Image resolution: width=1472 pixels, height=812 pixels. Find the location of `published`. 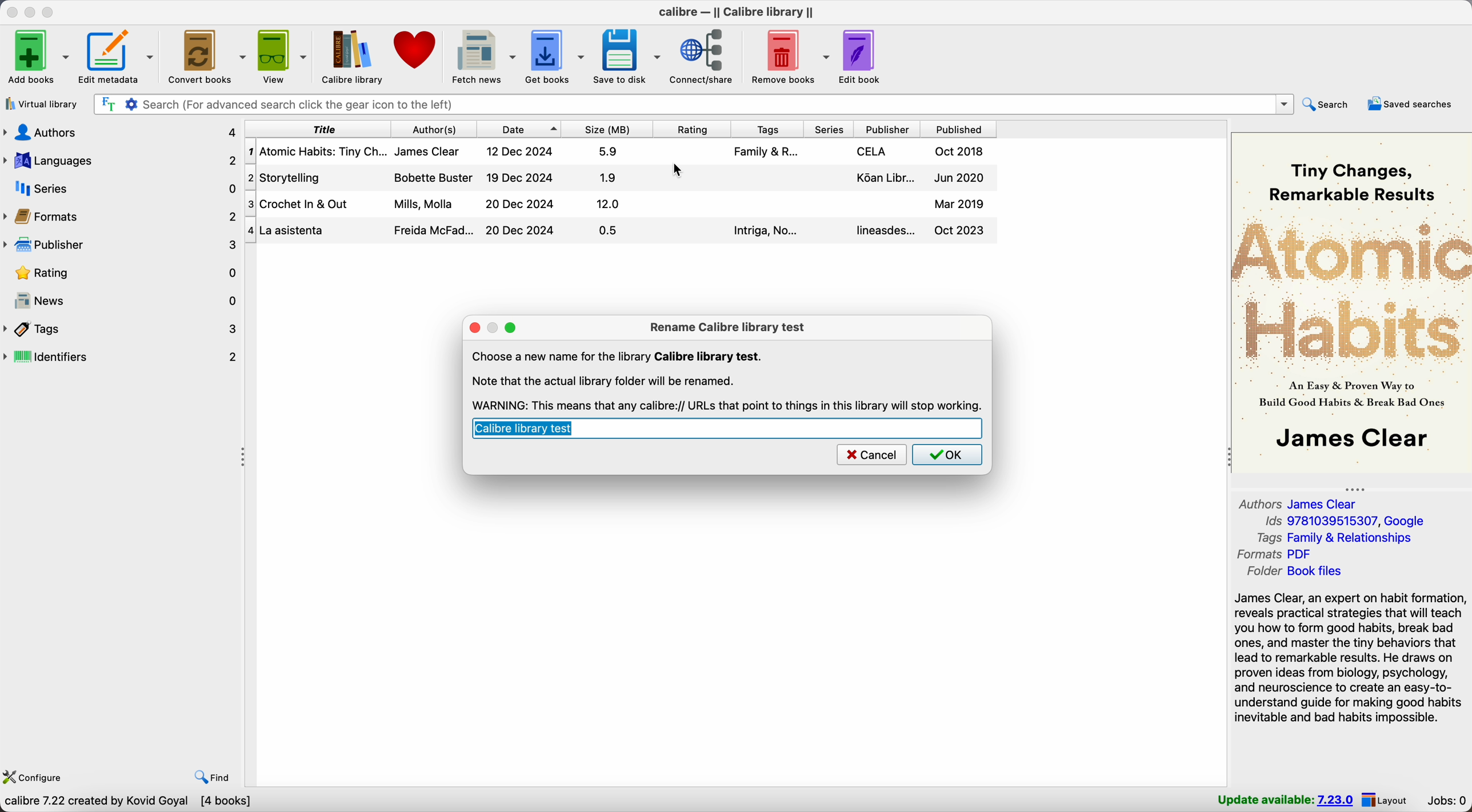

published is located at coordinates (958, 130).